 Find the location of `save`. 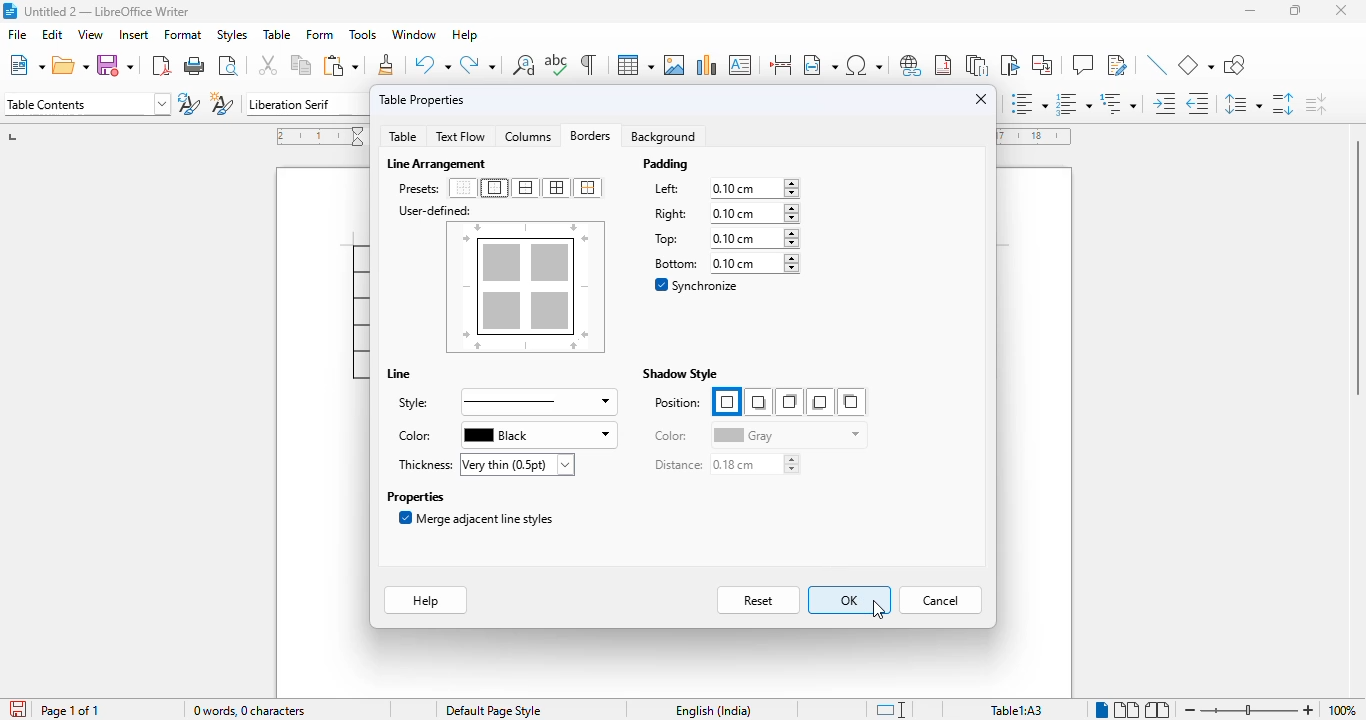

save is located at coordinates (115, 64).